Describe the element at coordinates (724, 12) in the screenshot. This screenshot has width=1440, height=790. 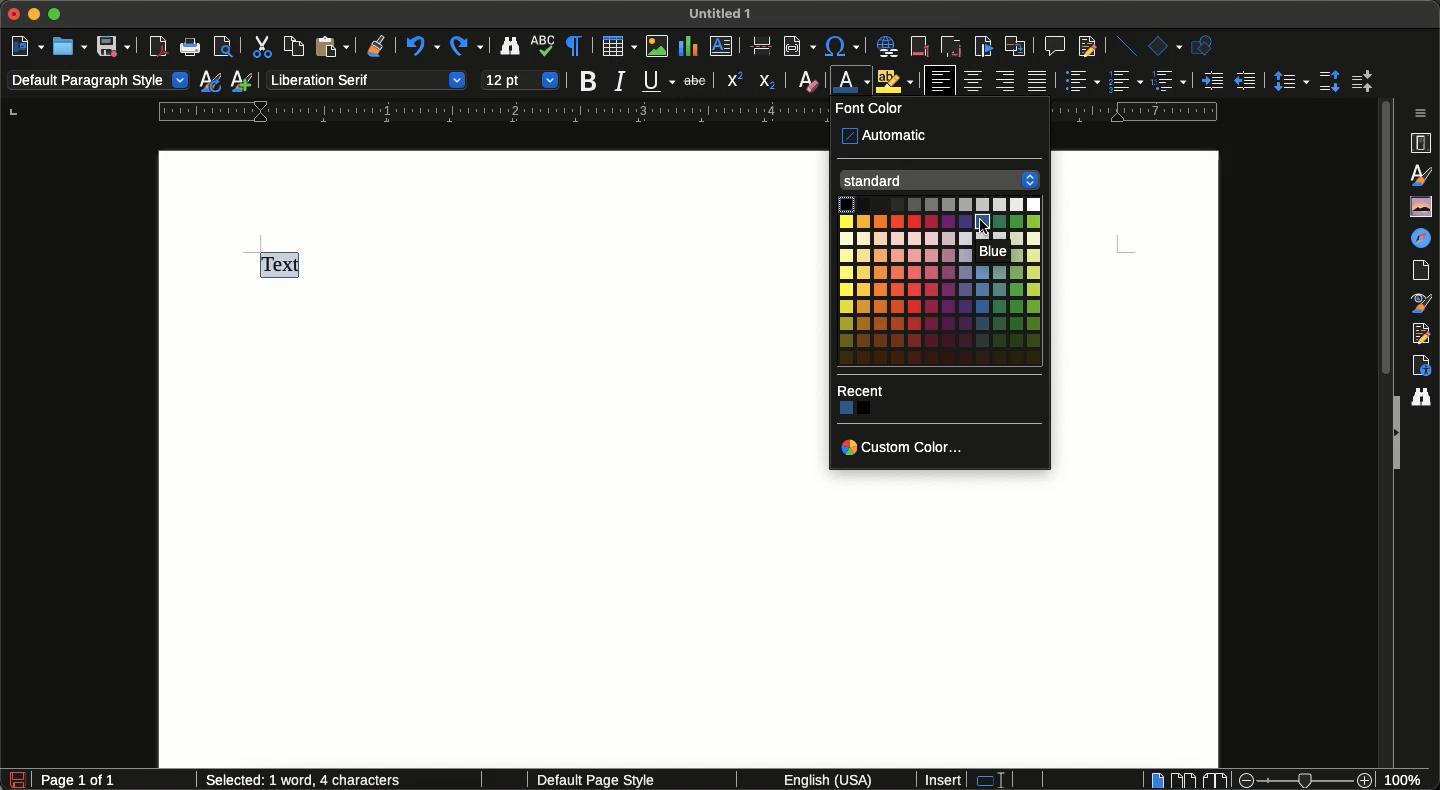
I see `File name` at that location.